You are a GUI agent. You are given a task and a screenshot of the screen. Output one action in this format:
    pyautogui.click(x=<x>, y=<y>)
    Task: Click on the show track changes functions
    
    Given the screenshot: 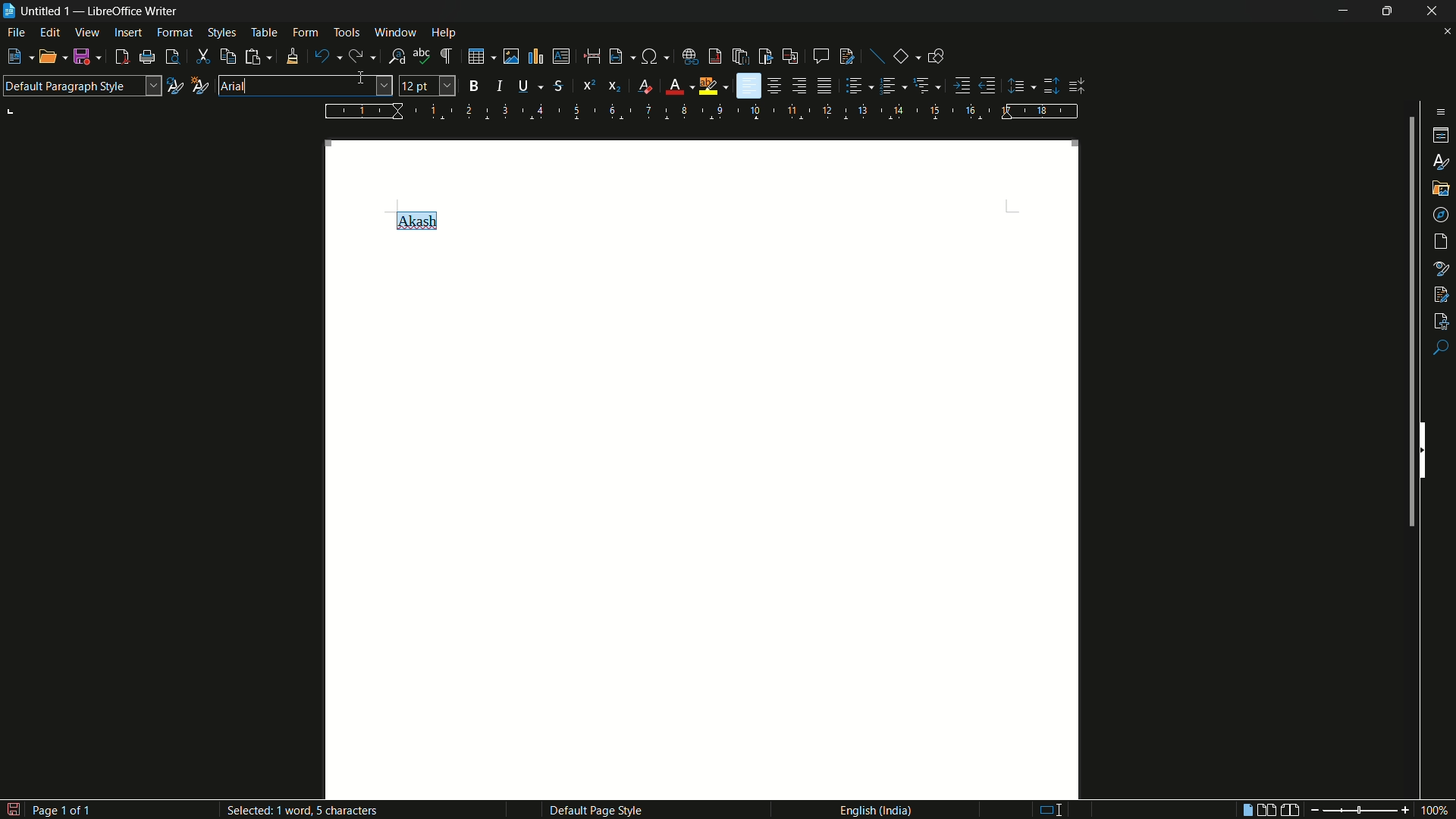 What is the action you would take?
    pyautogui.click(x=848, y=56)
    